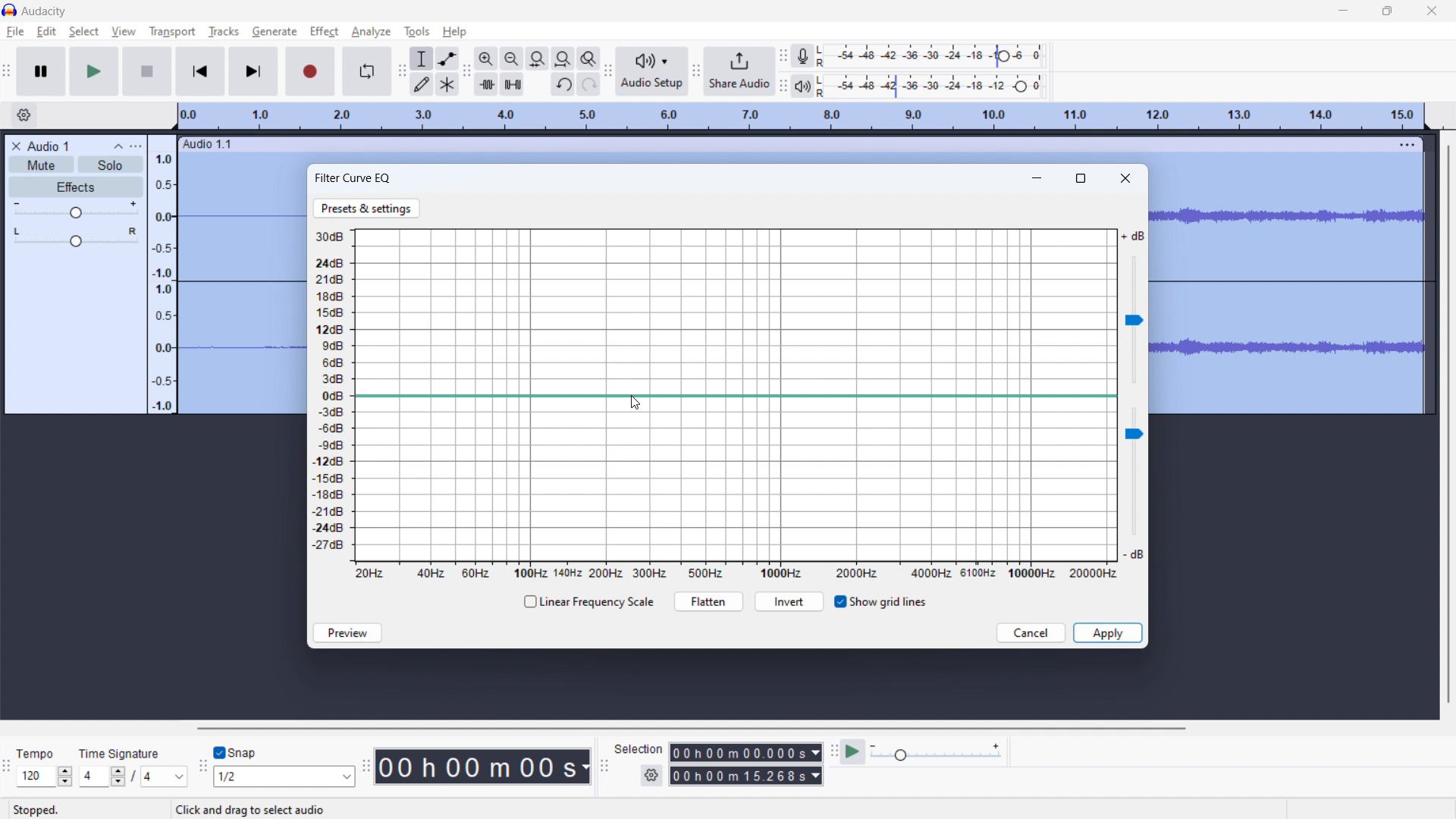  I want to click on amplitude, so click(163, 274).